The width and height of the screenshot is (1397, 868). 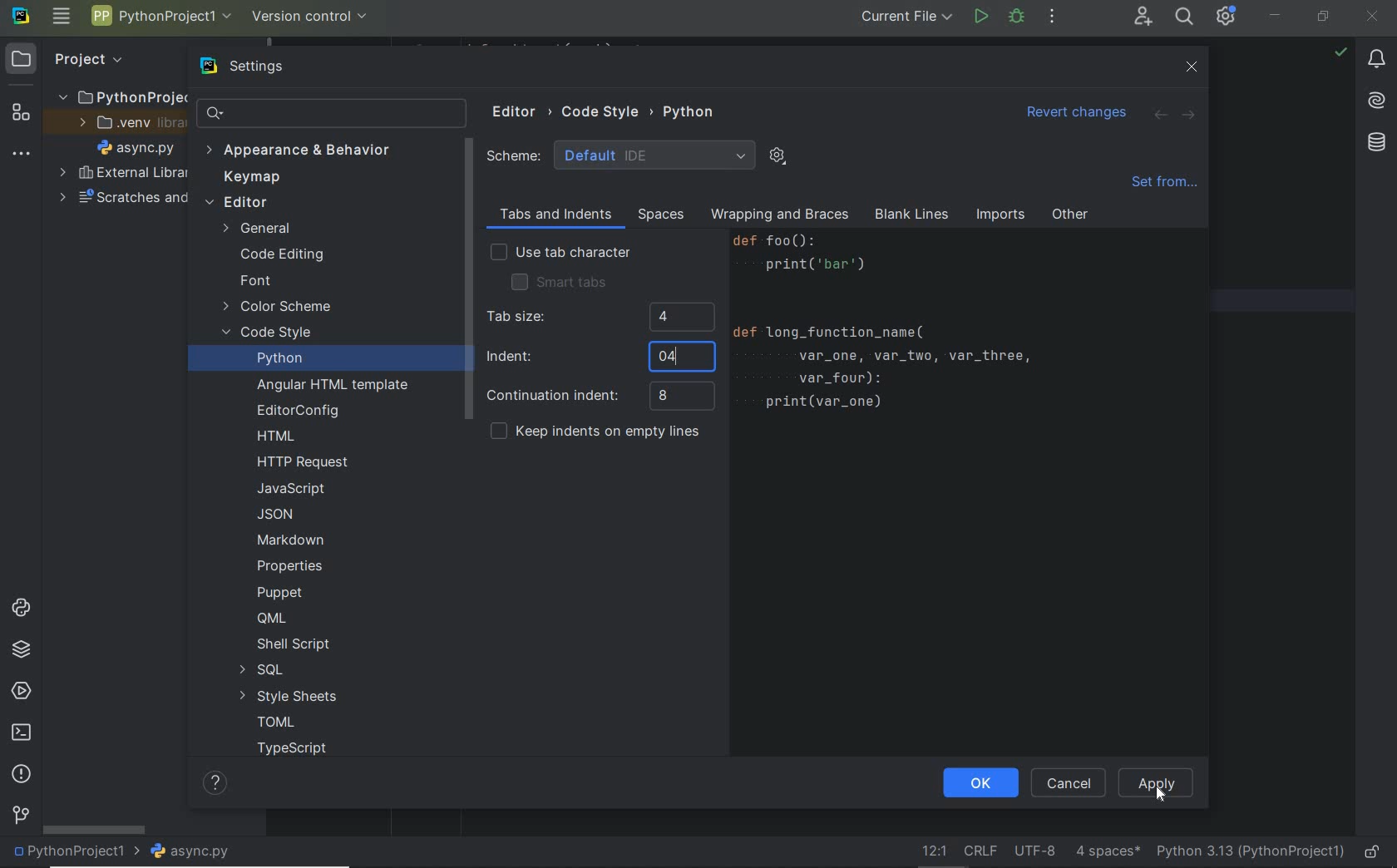 What do you see at coordinates (1374, 145) in the screenshot?
I see `database` at bounding box center [1374, 145].